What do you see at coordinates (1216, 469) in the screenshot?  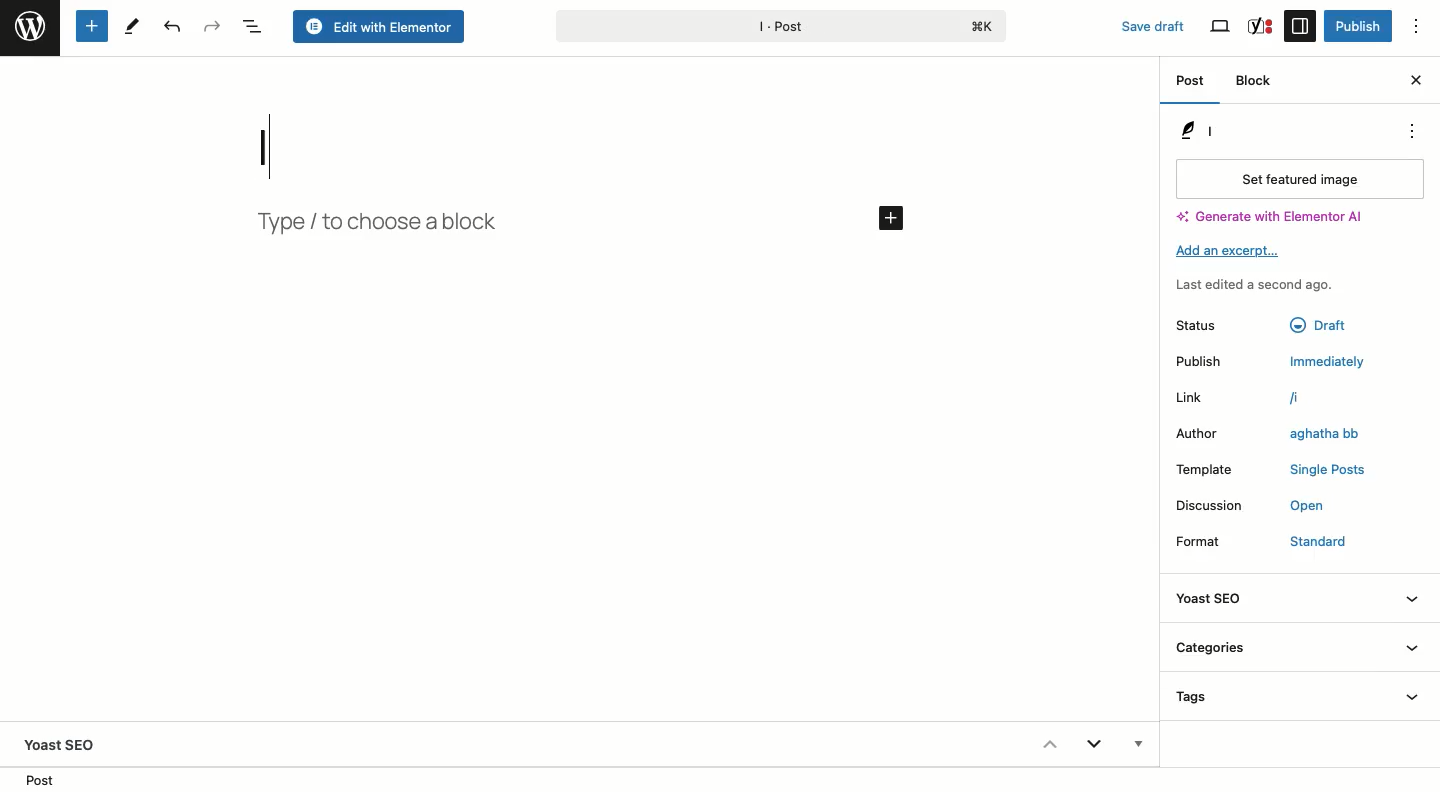 I see `Template` at bounding box center [1216, 469].